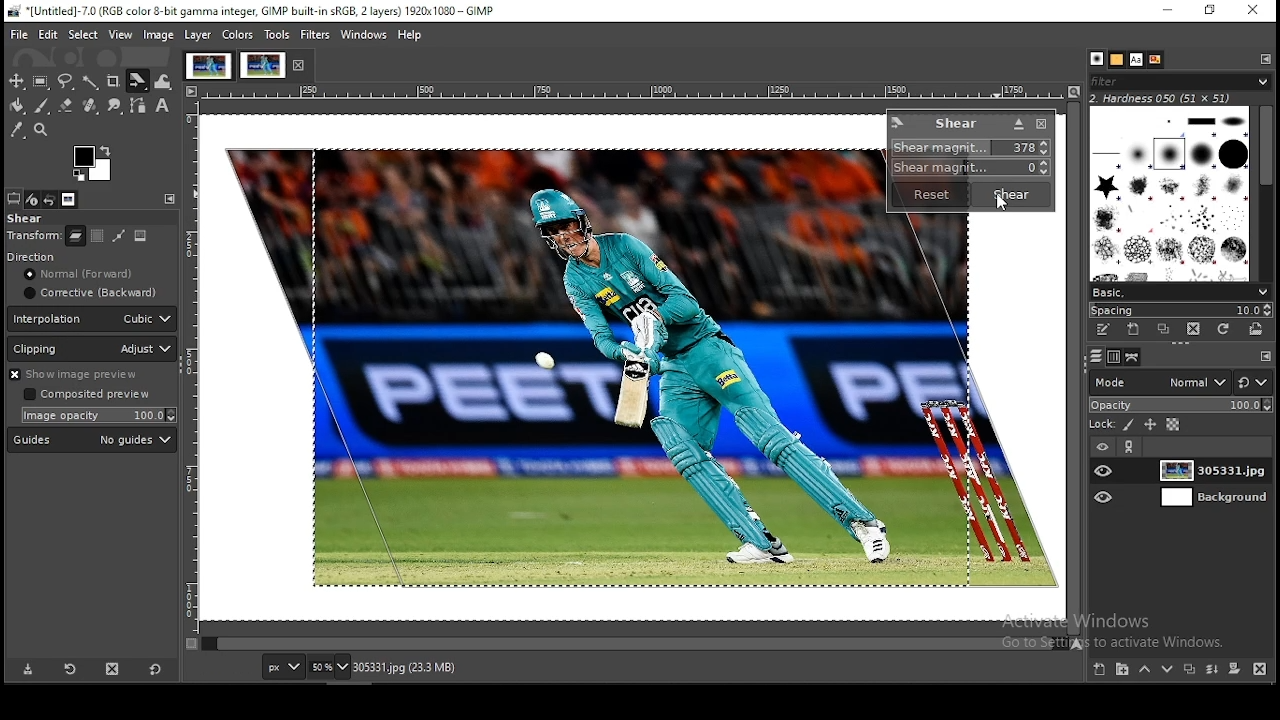  What do you see at coordinates (1158, 382) in the screenshot?
I see `mode` at bounding box center [1158, 382].